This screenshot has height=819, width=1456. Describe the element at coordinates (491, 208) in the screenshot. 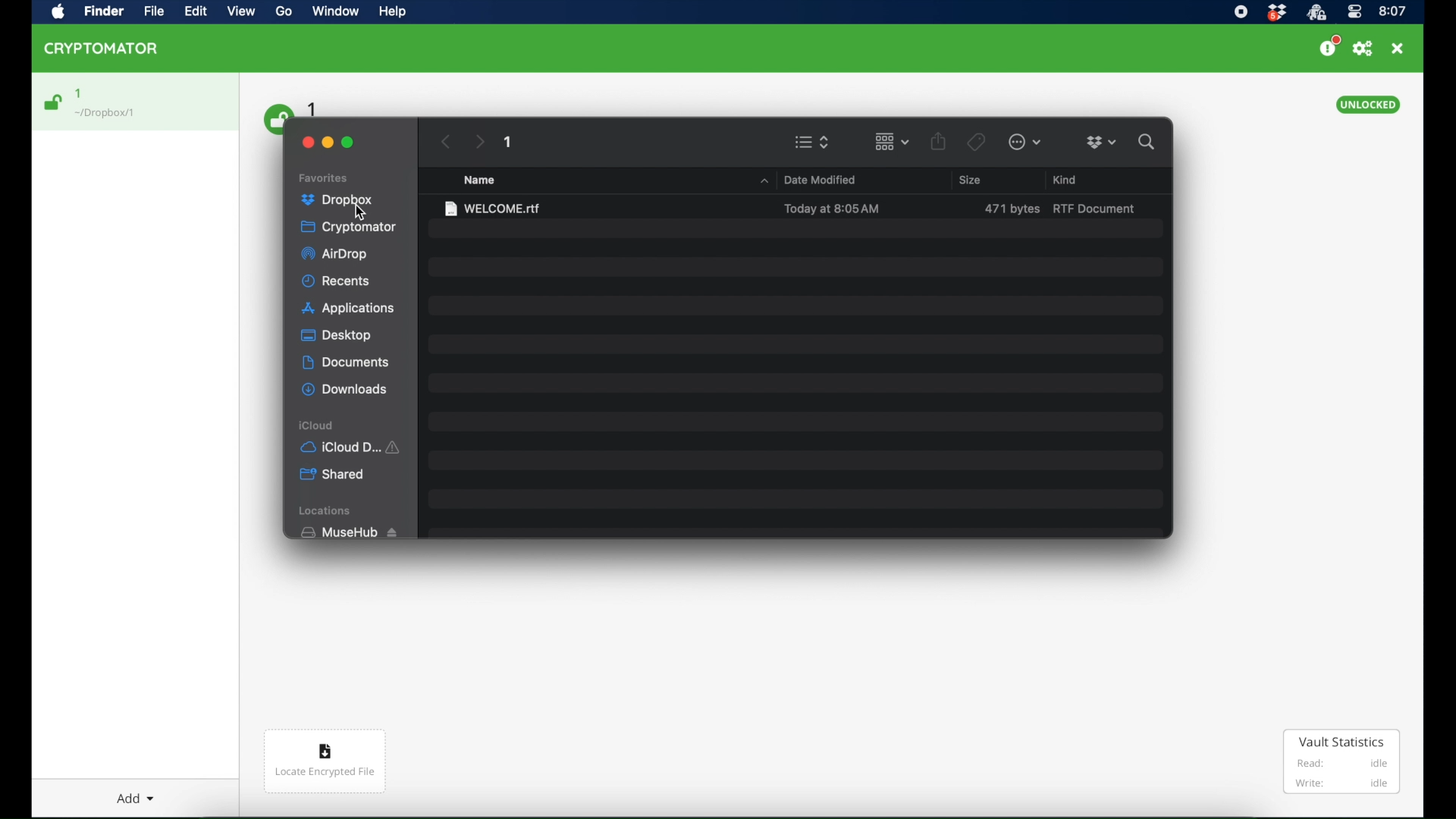

I see `welcome.rtf` at that location.